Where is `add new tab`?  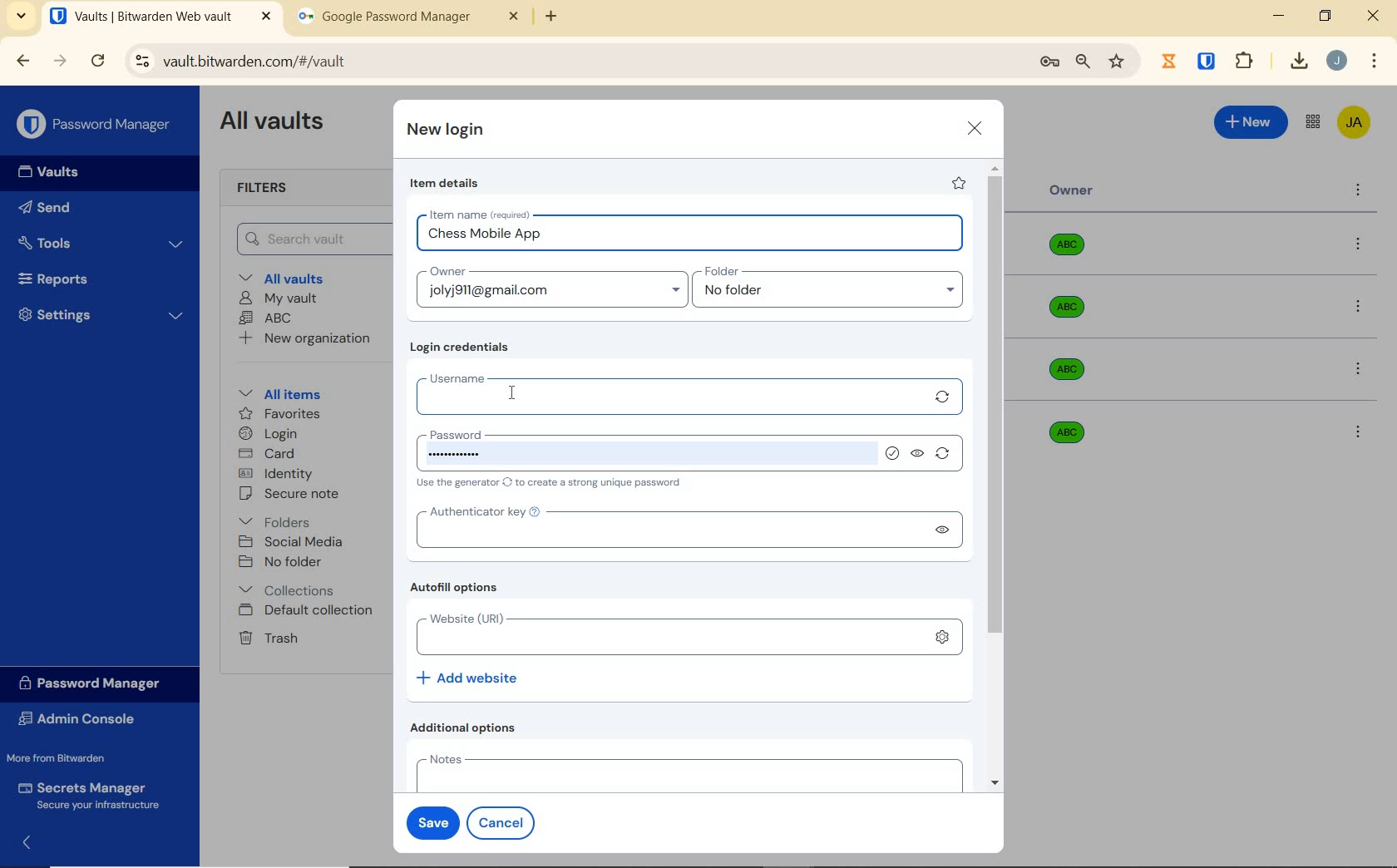
add new tab is located at coordinates (564, 21).